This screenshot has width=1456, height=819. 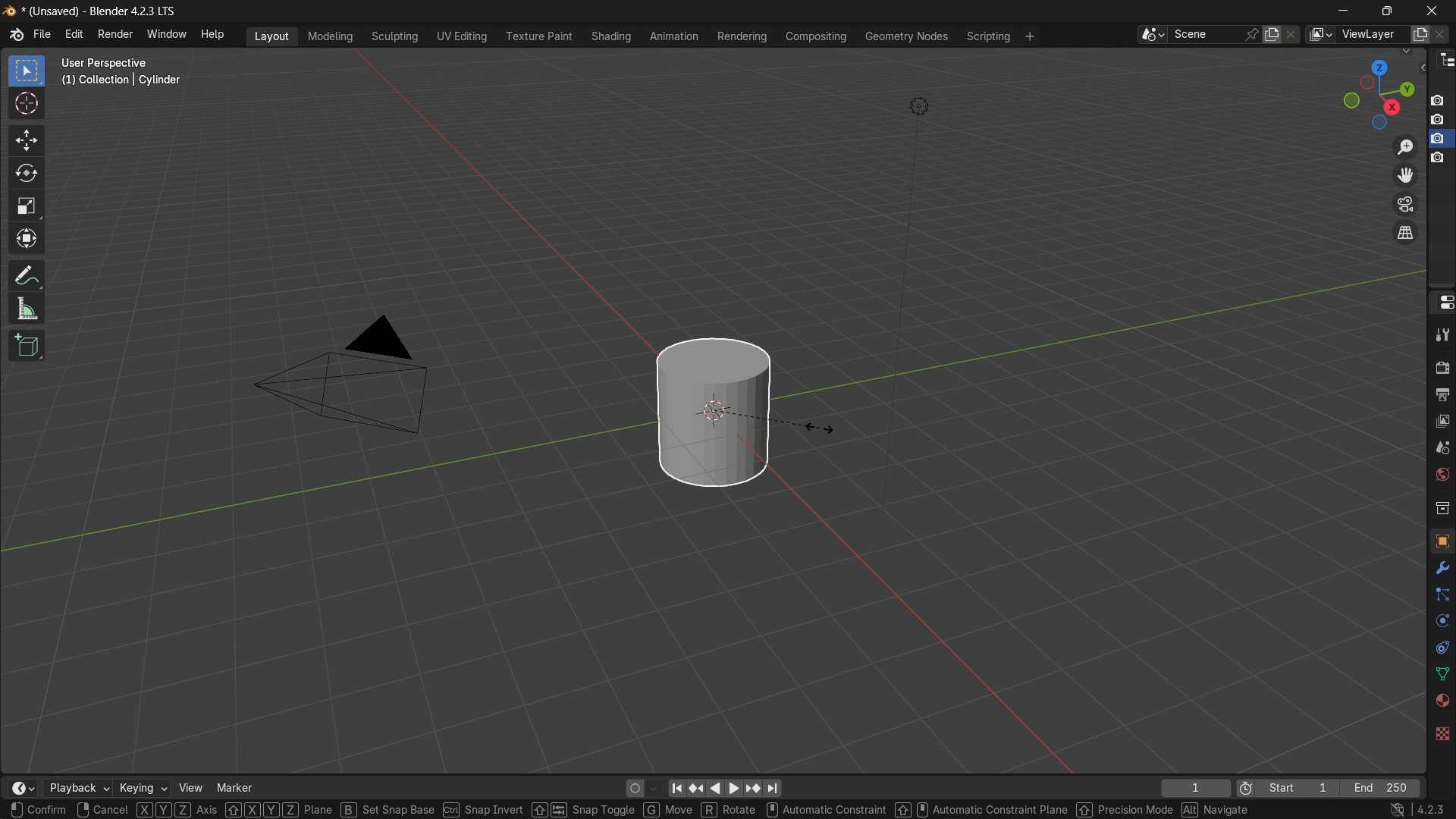 What do you see at coordinates (1302, 789) in the screenshot?
I see `Start 1` at bounding box center [1302, 789].